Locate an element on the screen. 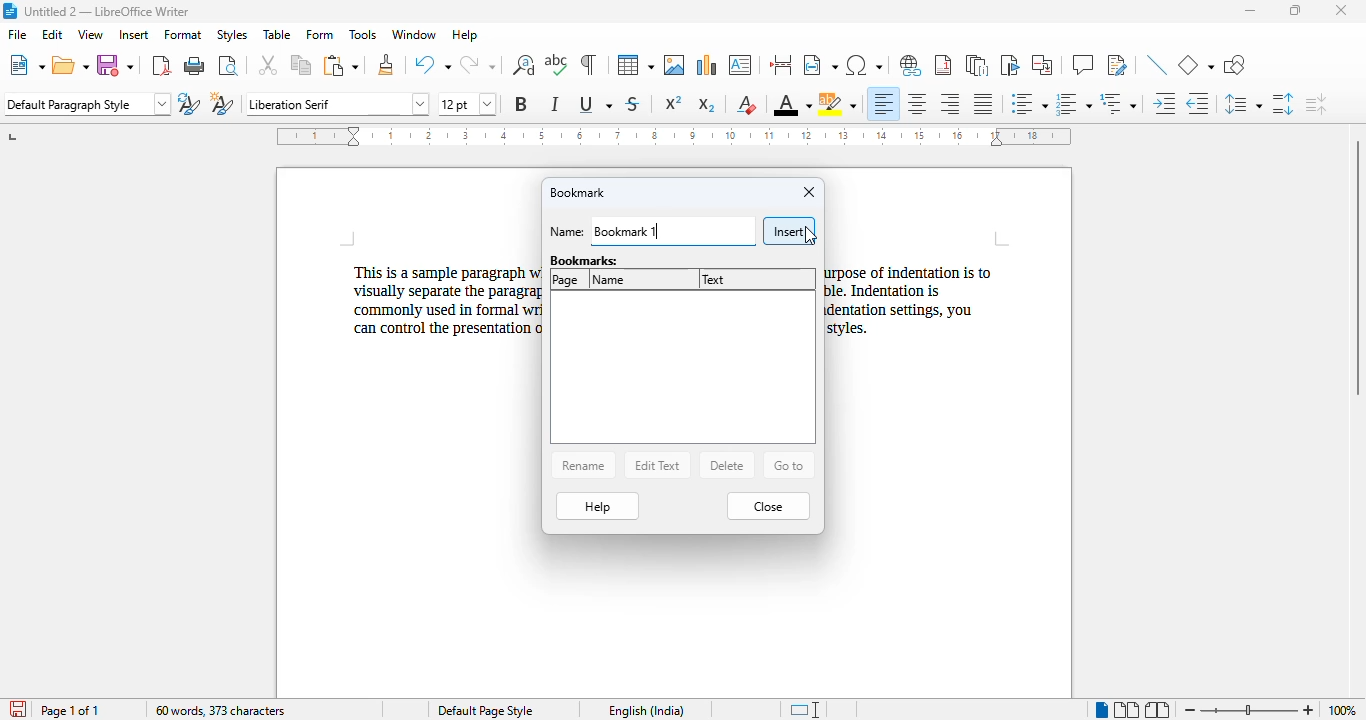  tools is located at coordinates (362, 34).